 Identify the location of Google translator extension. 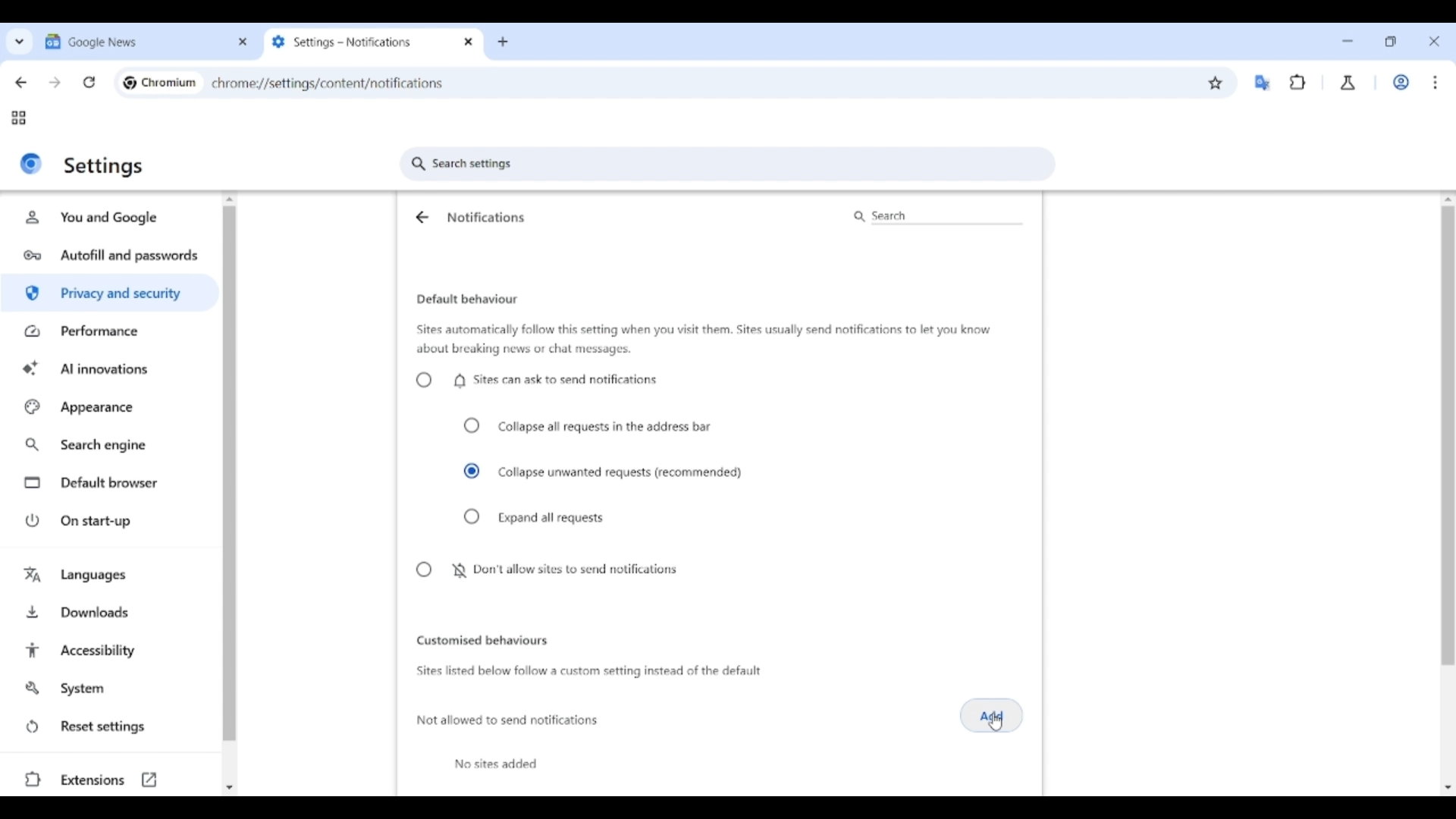
(1262, 83).